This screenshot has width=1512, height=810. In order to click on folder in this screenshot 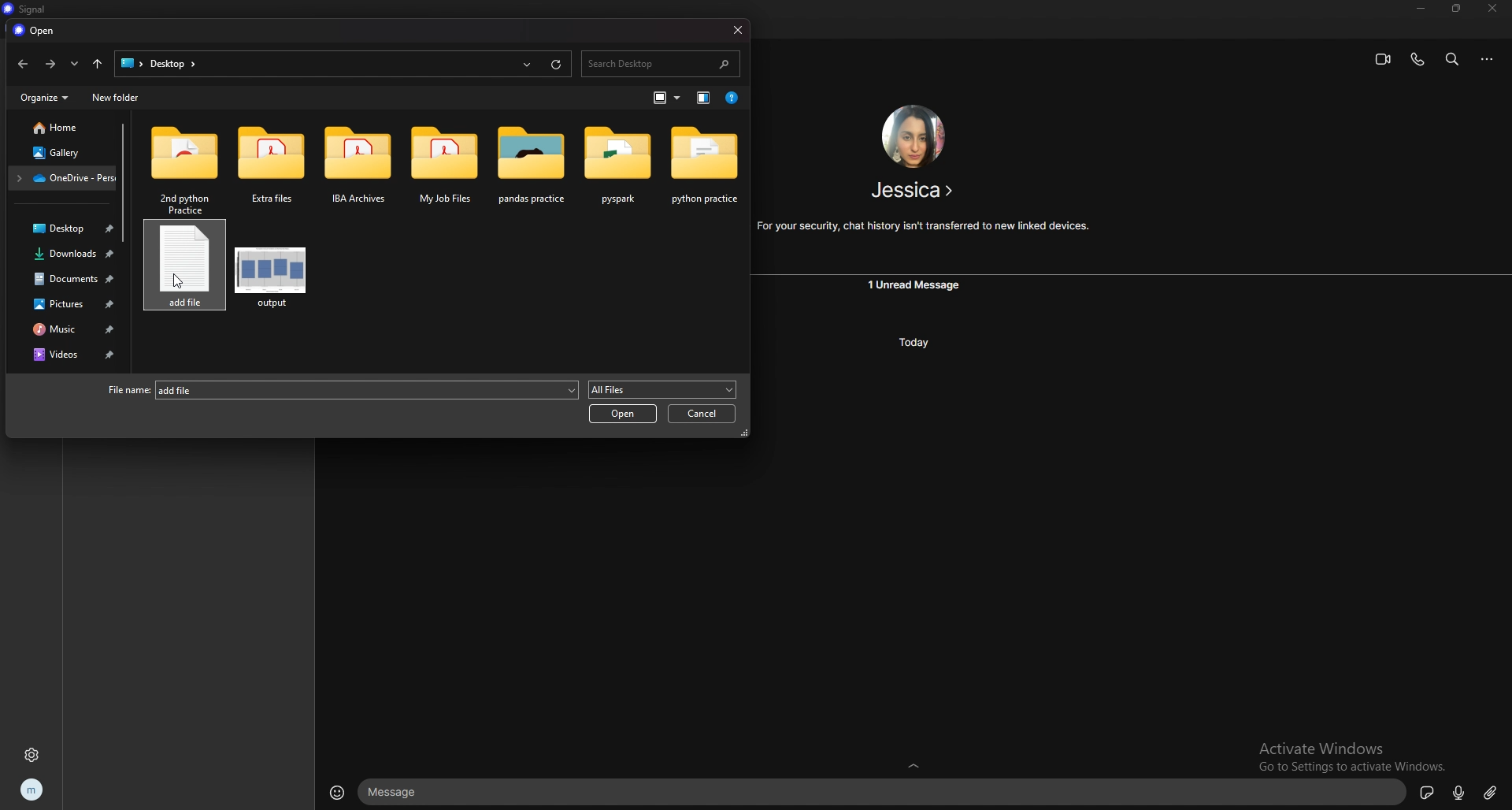, I will do `click(272, 169)`.